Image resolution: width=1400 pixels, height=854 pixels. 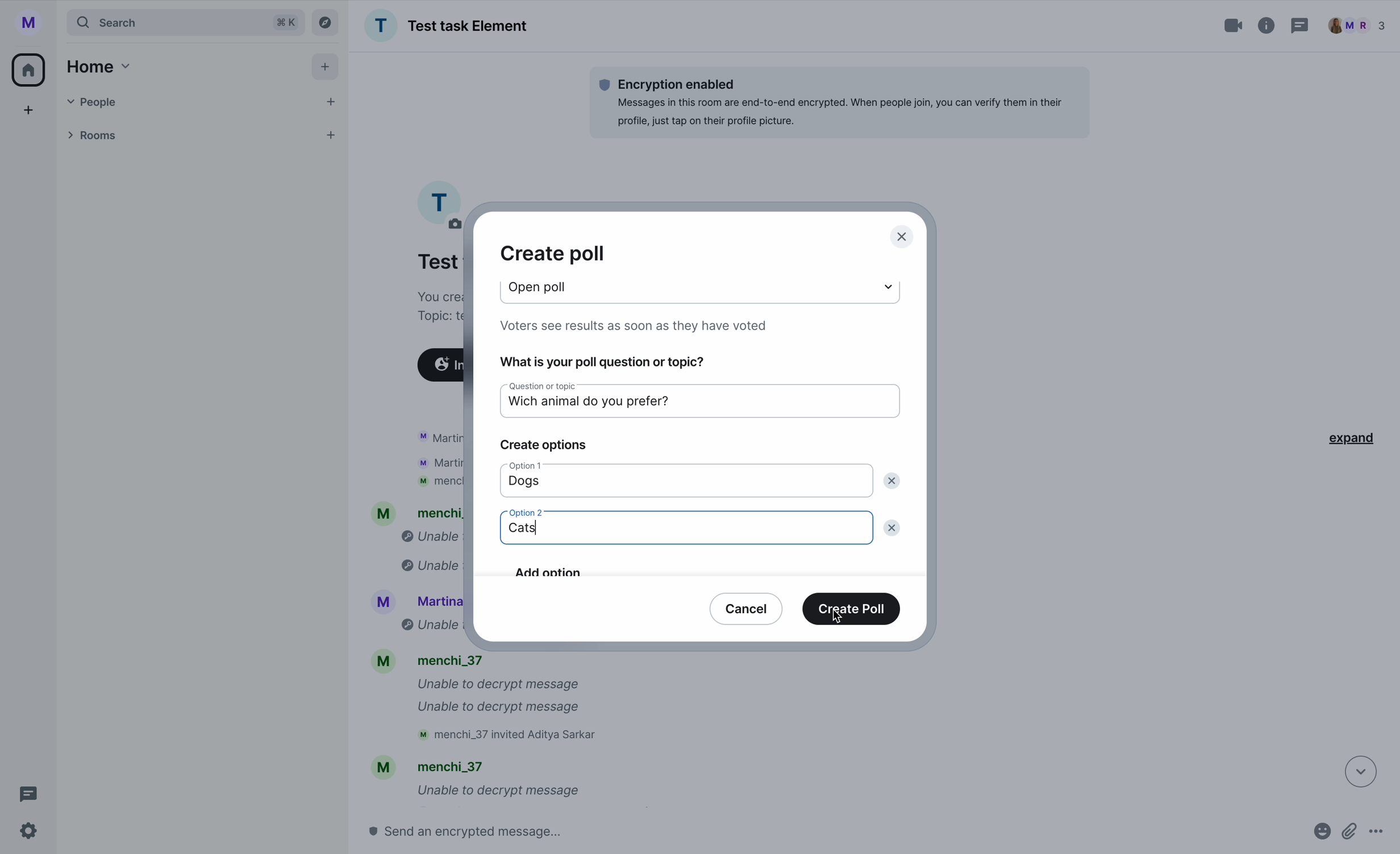 What do you see at coordinates (96, 66) in the screenshot?
I see `home` at bounding box center [96, 66].